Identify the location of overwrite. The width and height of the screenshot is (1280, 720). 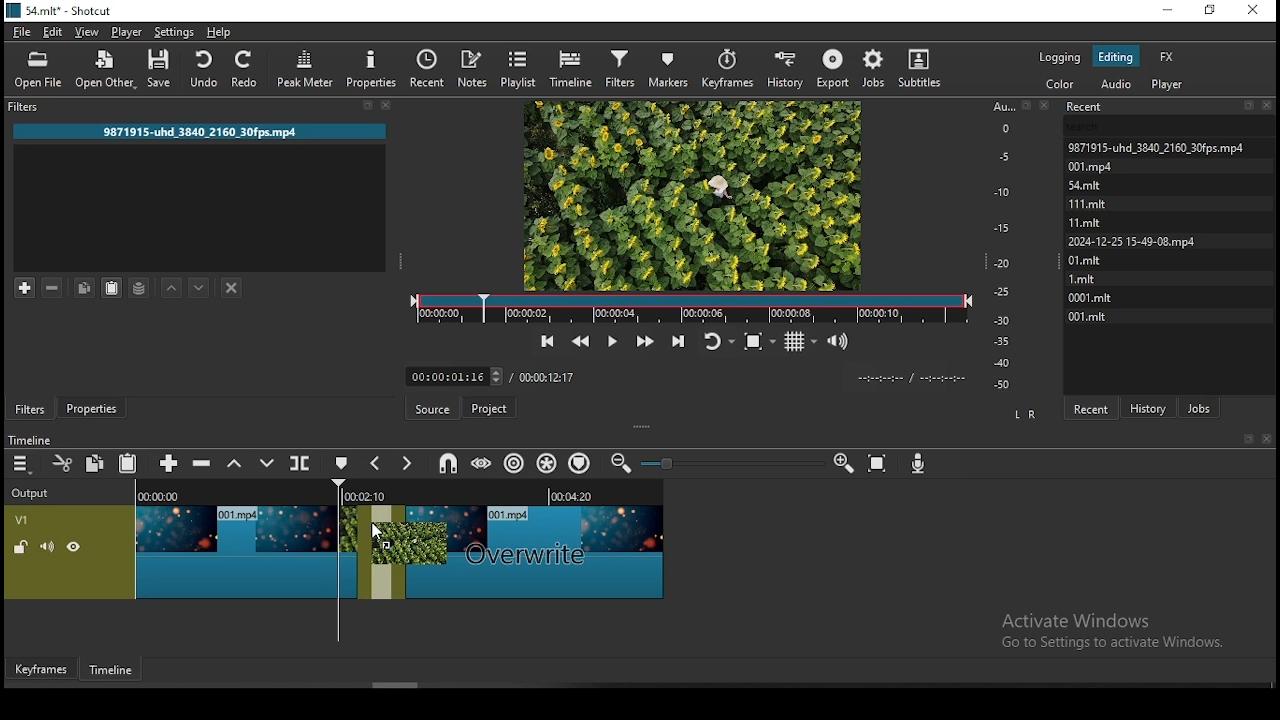
(267, 463).